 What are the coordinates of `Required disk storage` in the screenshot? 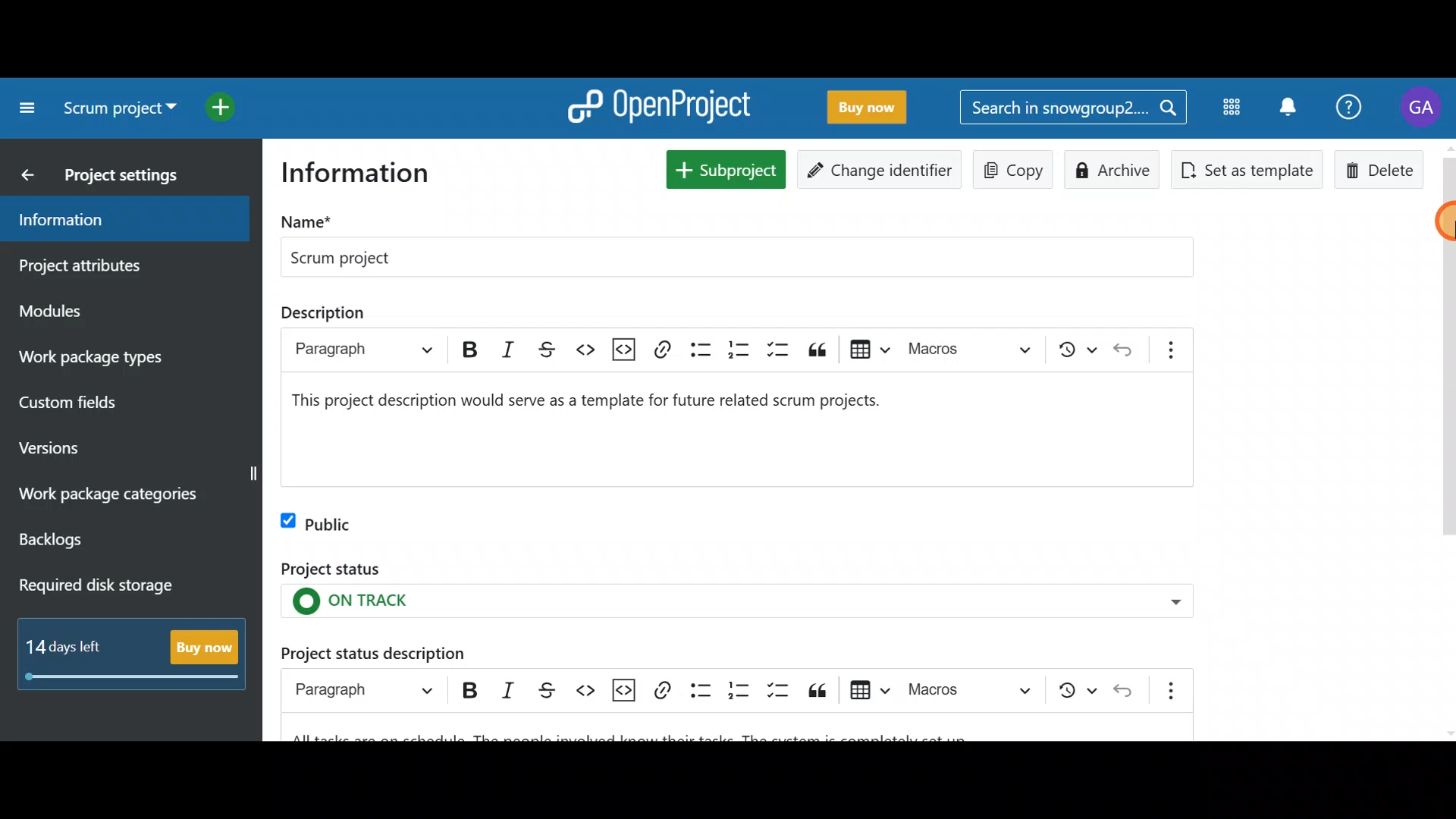 It's located at (127, 587).